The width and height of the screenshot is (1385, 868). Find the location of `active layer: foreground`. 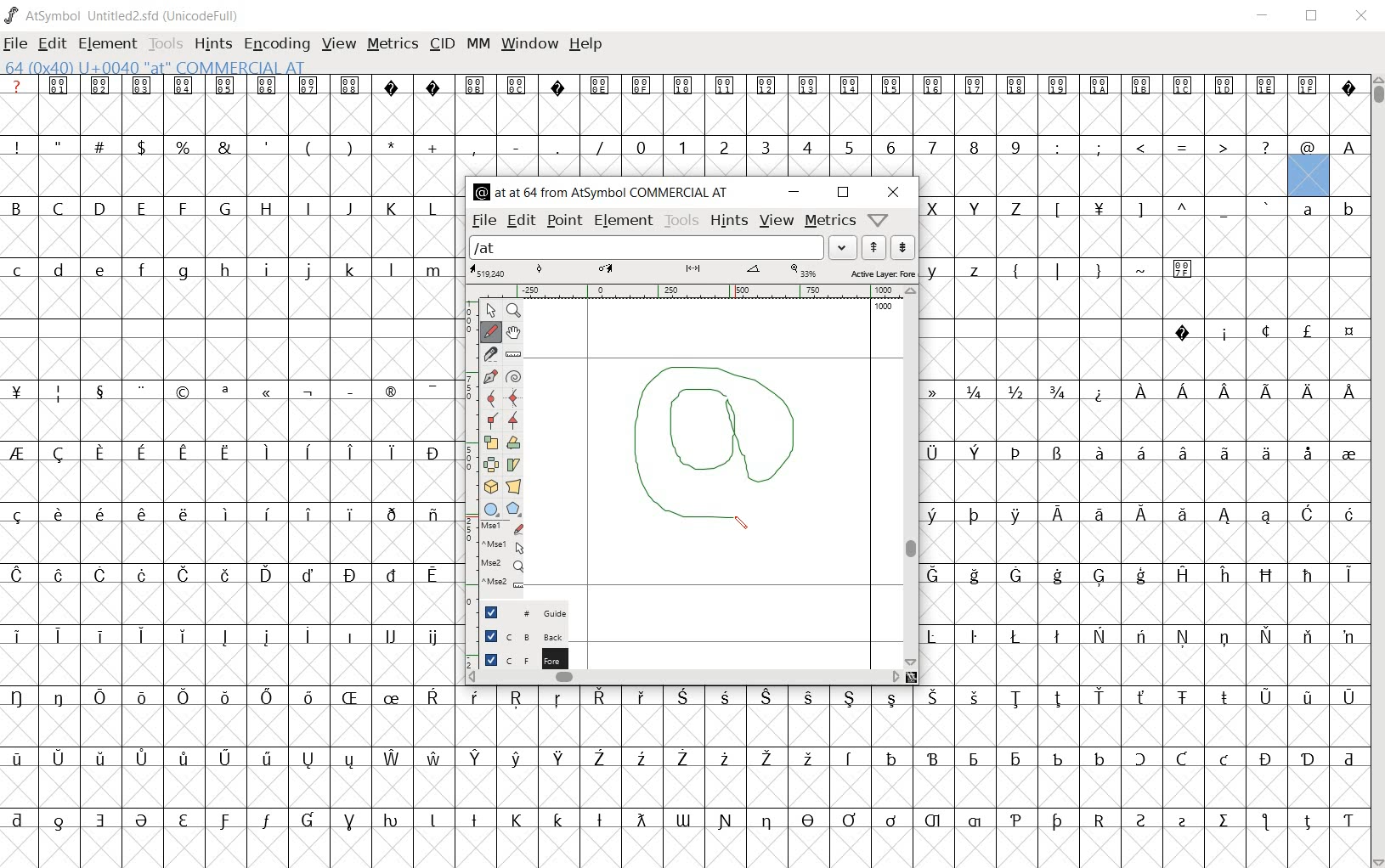

active layer: foreground is located at coordinates (692, 272).